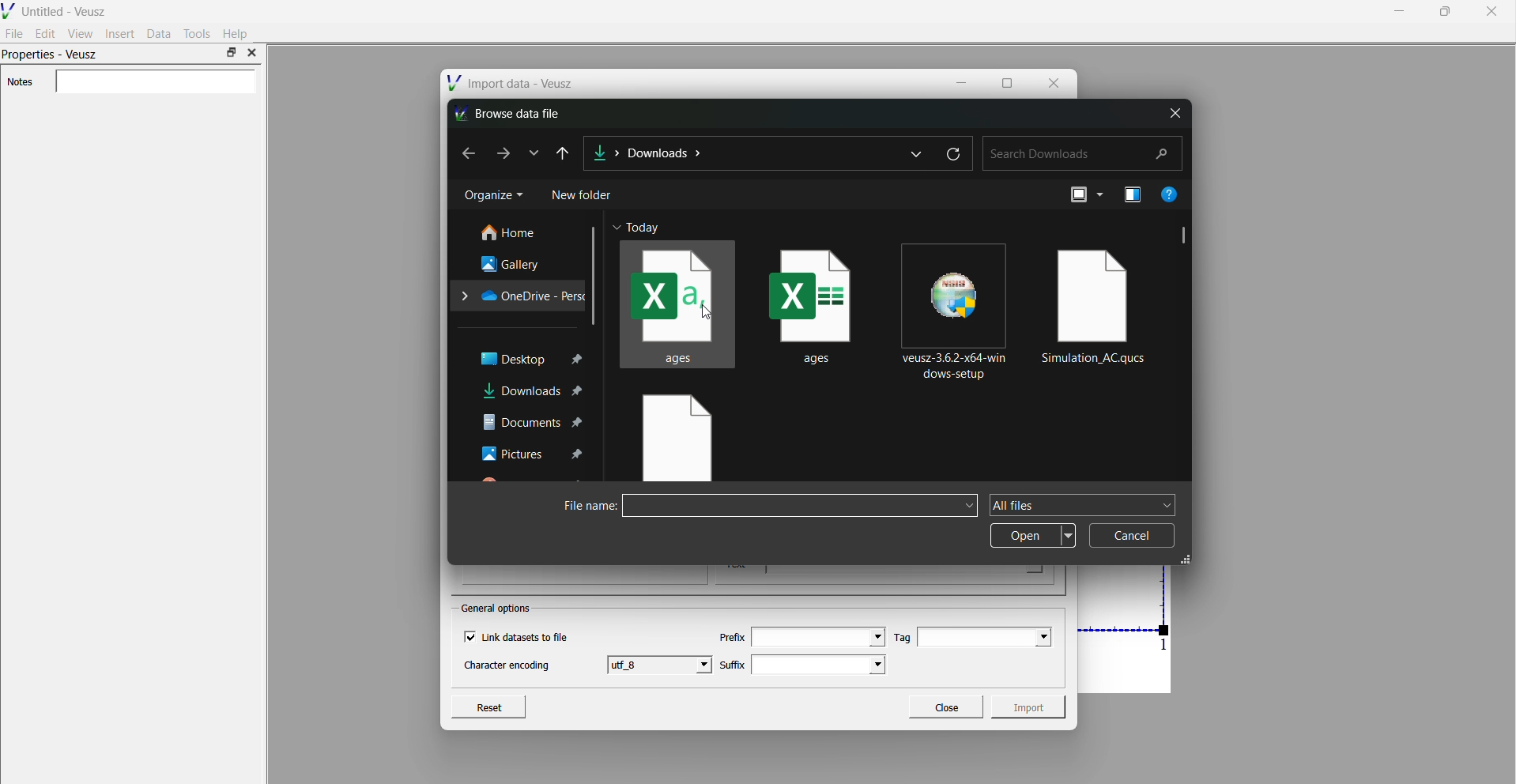 This screenshot has height=784, width=1516. Describe the element at coordinates (1083, 154) in the screenshot. I see `Search Downloads` at that location.